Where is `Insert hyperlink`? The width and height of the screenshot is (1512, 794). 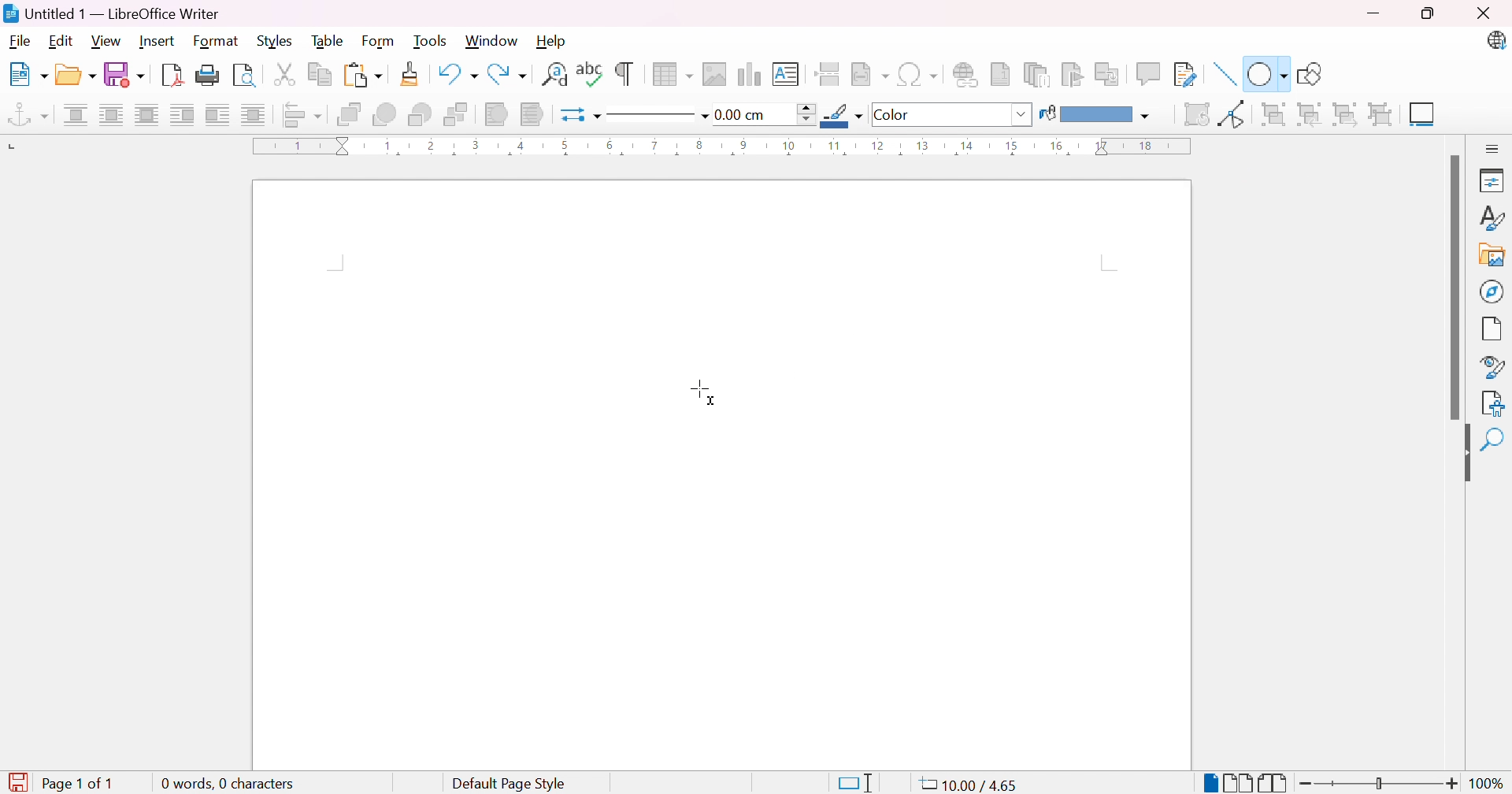
Insert hyperlink is located at coordinates (966, 74).